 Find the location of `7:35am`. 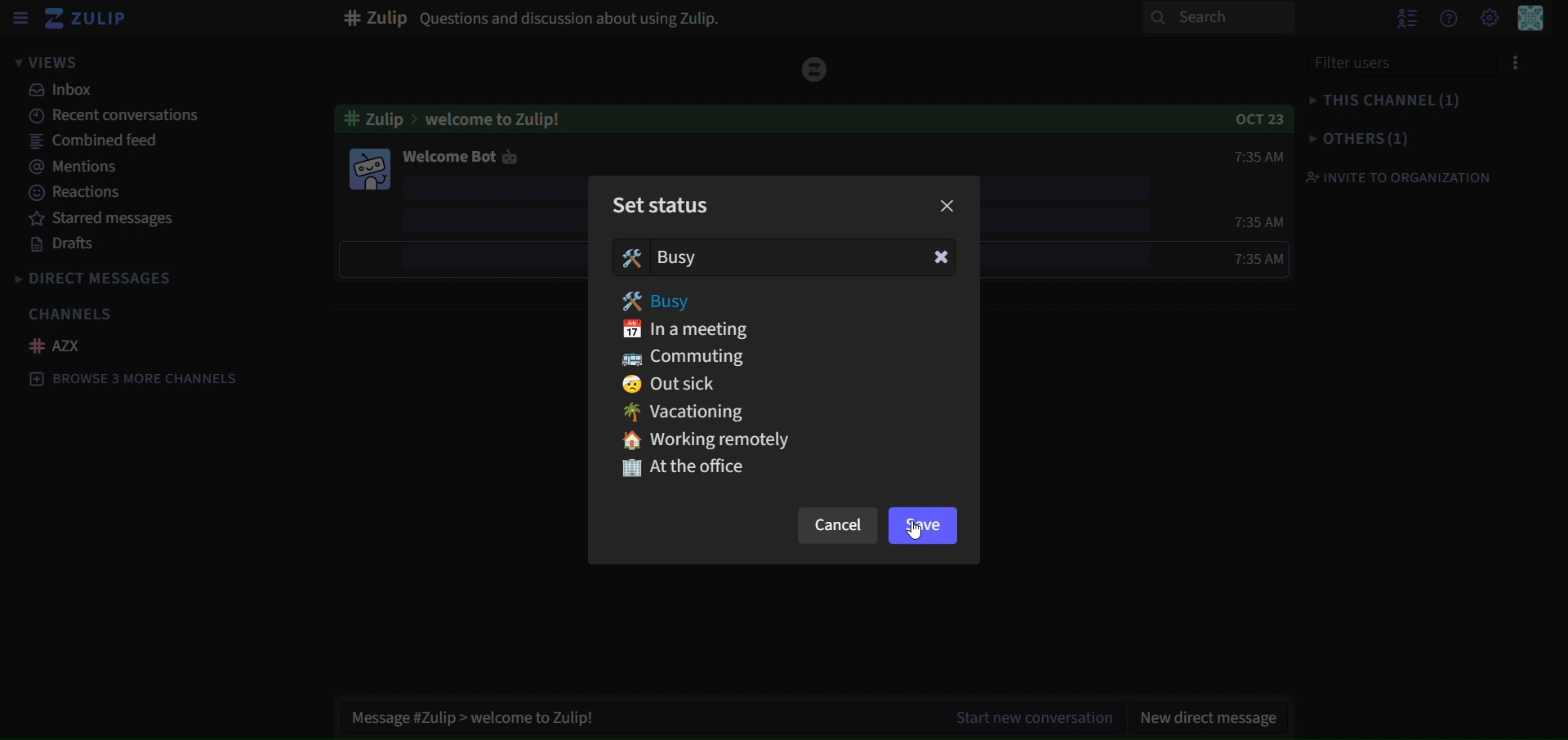

7:35am is located at coordinates (1241, 156).